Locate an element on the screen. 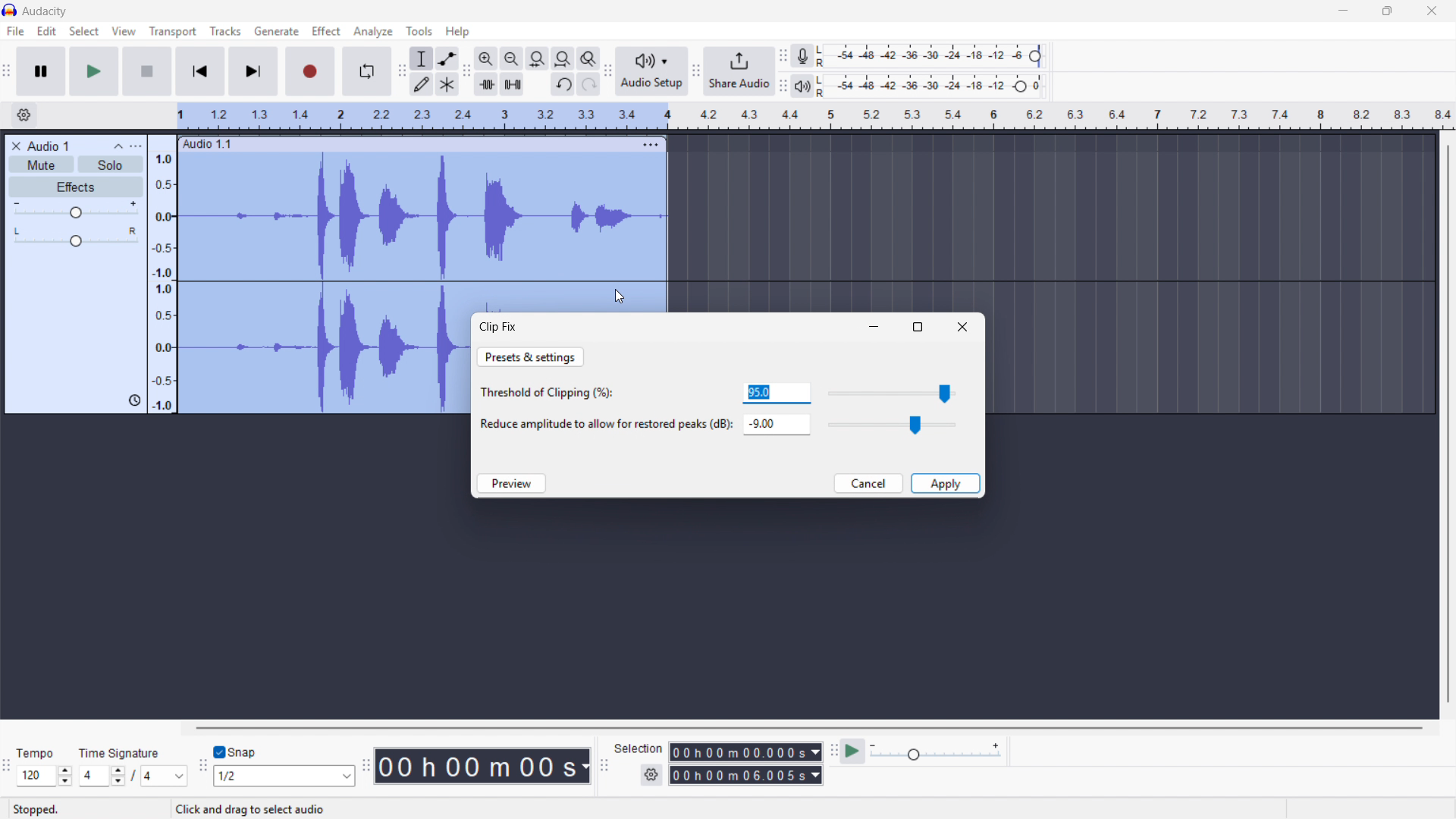 The height and width of the screenshot is (819, 1456). audio setup toolbar is located at coordinates (607, 73).